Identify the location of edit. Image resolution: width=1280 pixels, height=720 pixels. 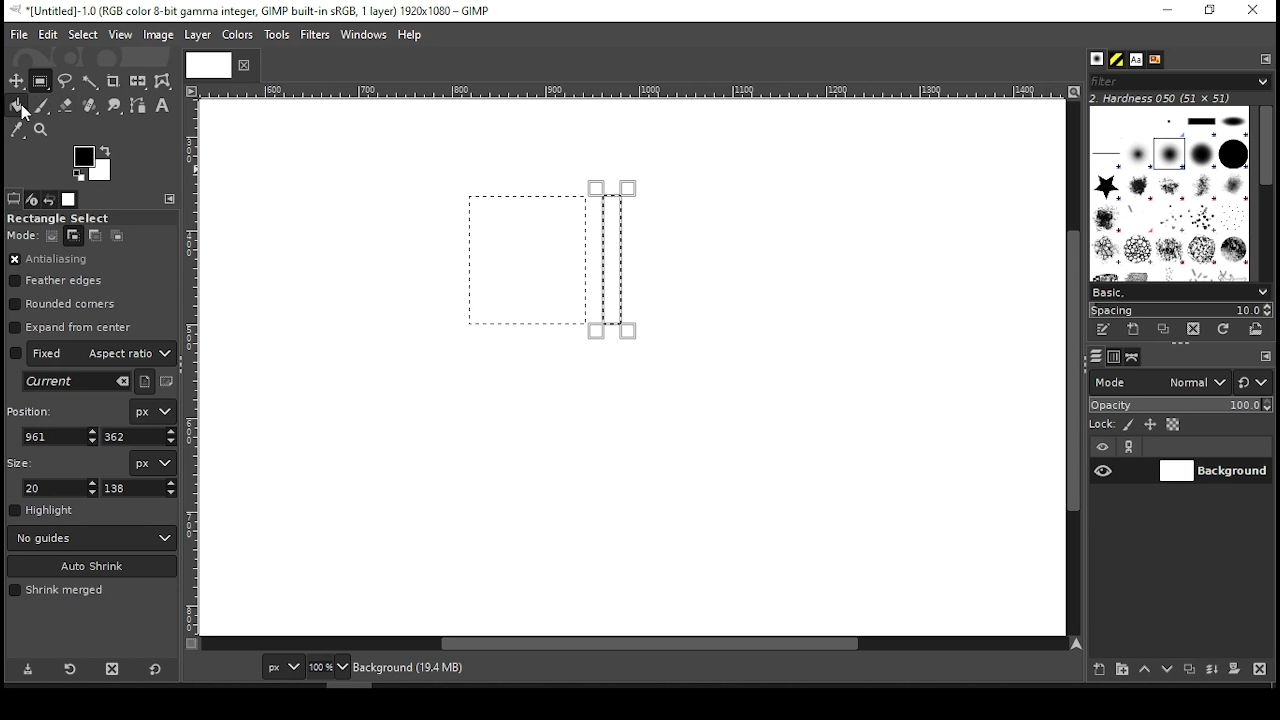
(48, 34).